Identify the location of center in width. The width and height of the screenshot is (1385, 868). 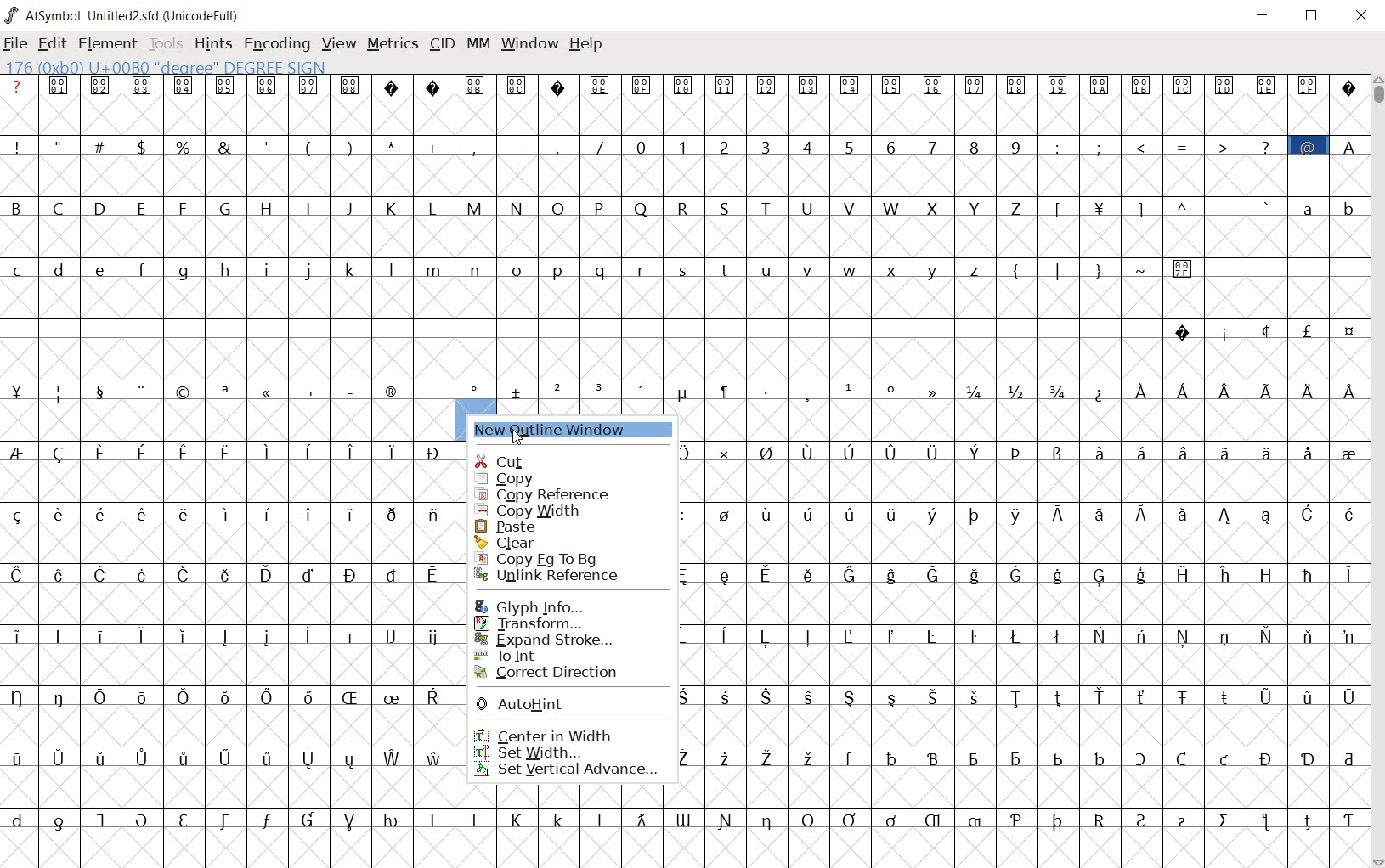
(573, 735).